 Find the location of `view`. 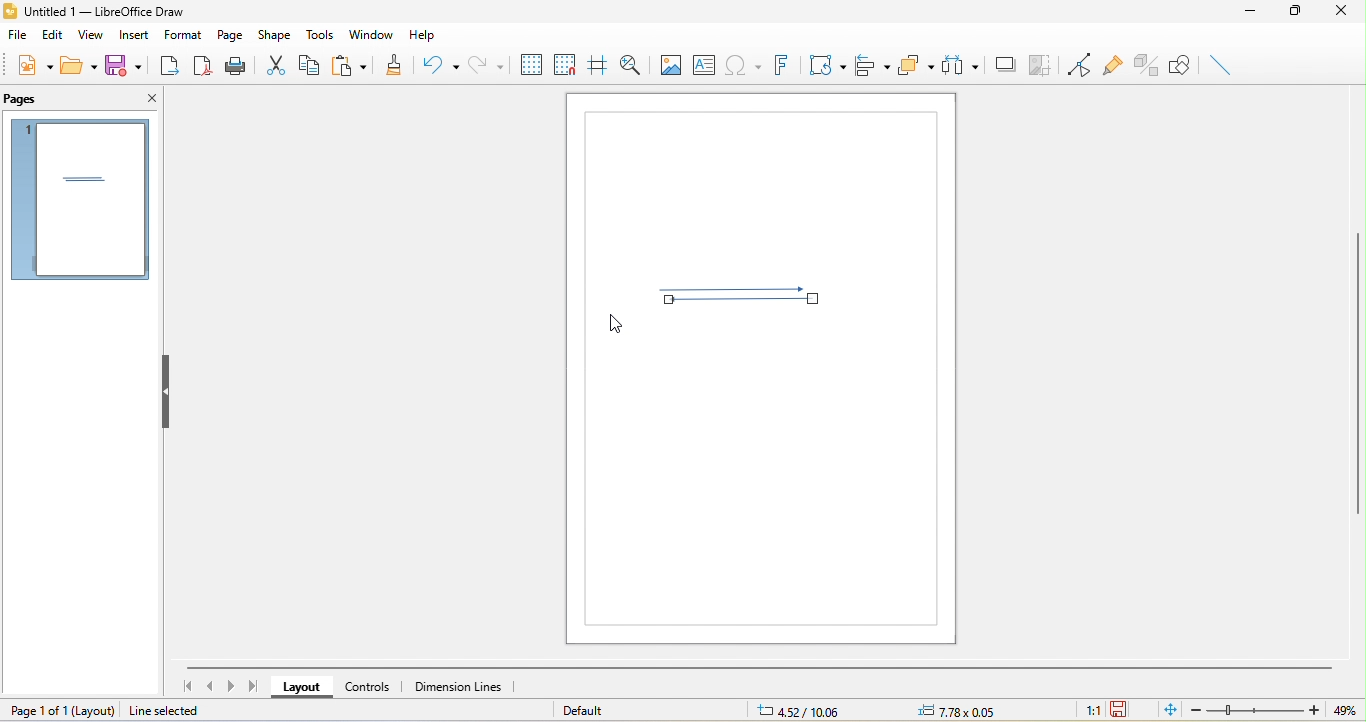

view is located at coordinates (88, 36).